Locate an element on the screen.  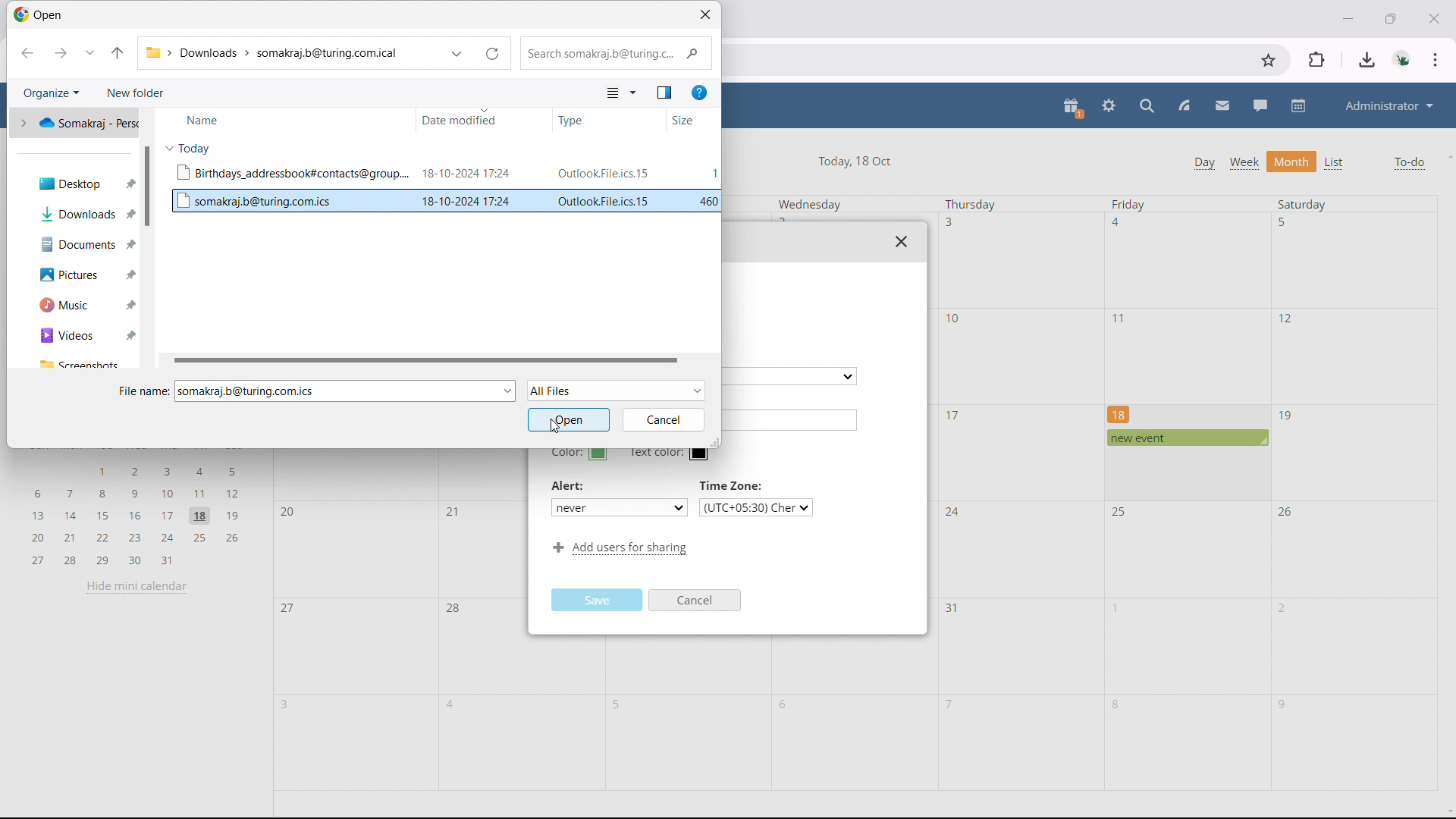
close is located at coordinates (902, 241).